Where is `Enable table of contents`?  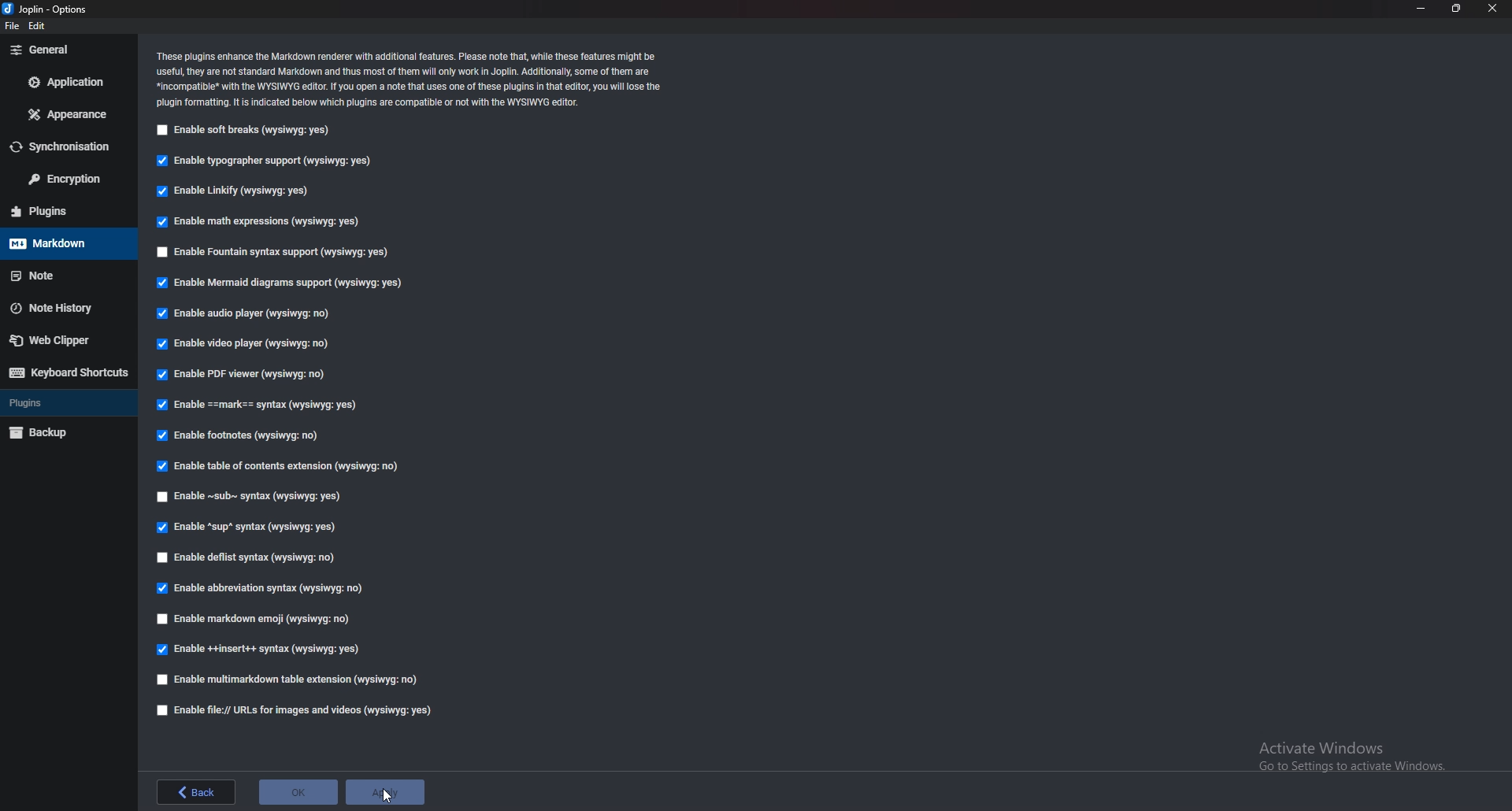 Enable table of contents is located at coordinates (283, 464).